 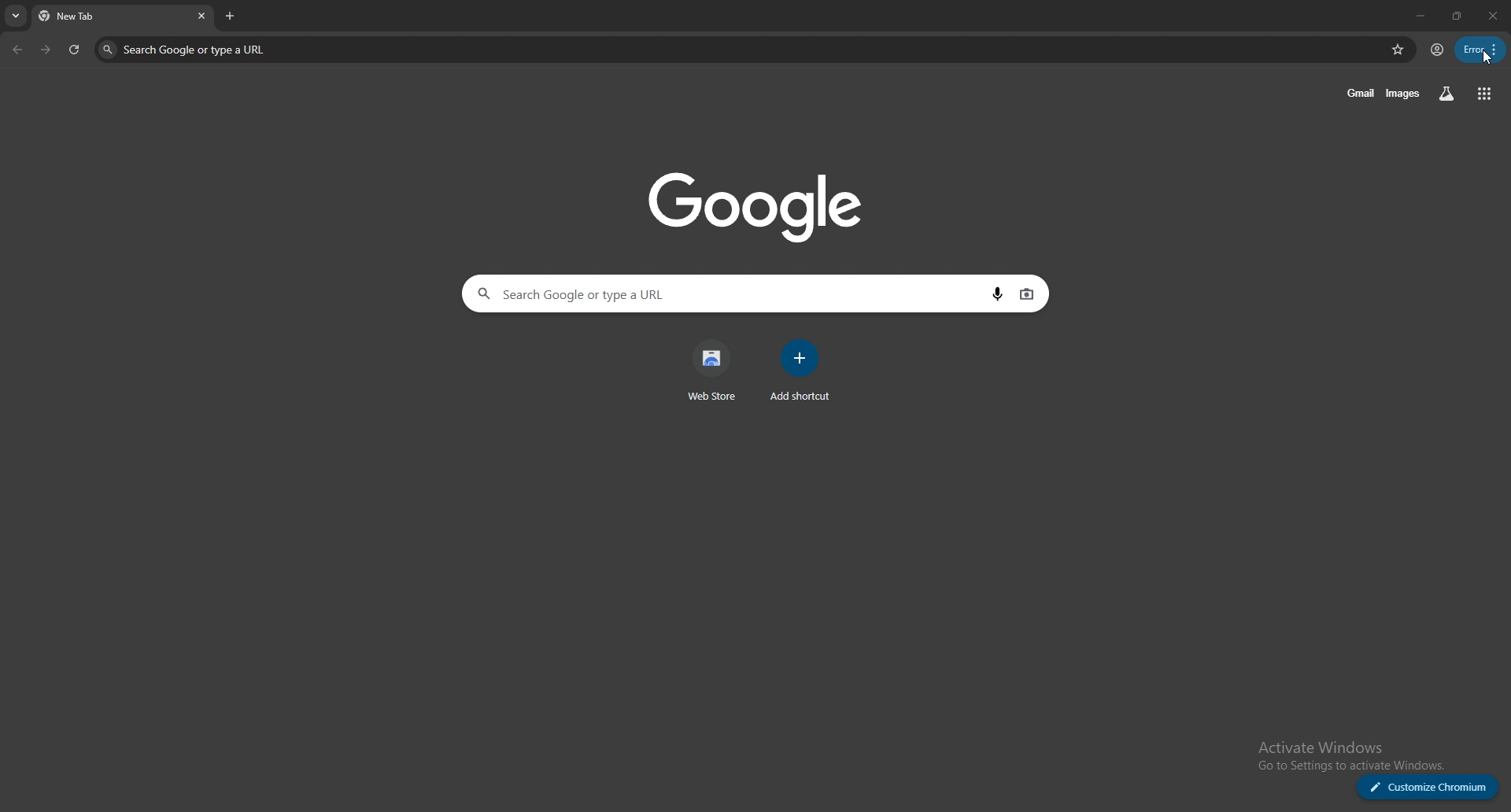 I want to click on search labs, so click(x=1447, y=94).